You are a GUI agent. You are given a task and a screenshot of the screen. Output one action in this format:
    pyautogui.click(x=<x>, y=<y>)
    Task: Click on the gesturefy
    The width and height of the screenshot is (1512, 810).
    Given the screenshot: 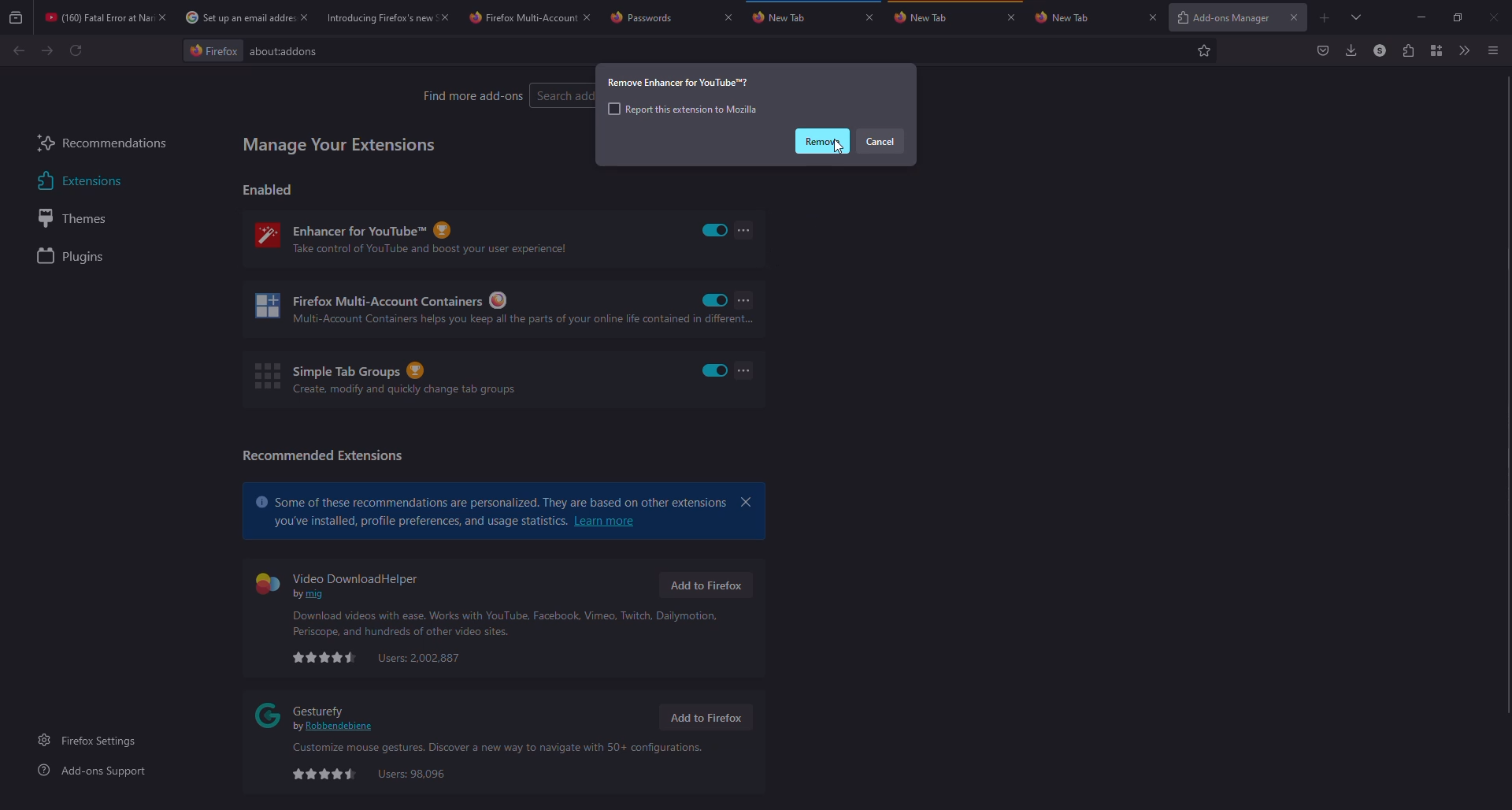 What is the action you would take?
    pyautogui.click(x=318, y=715)
    